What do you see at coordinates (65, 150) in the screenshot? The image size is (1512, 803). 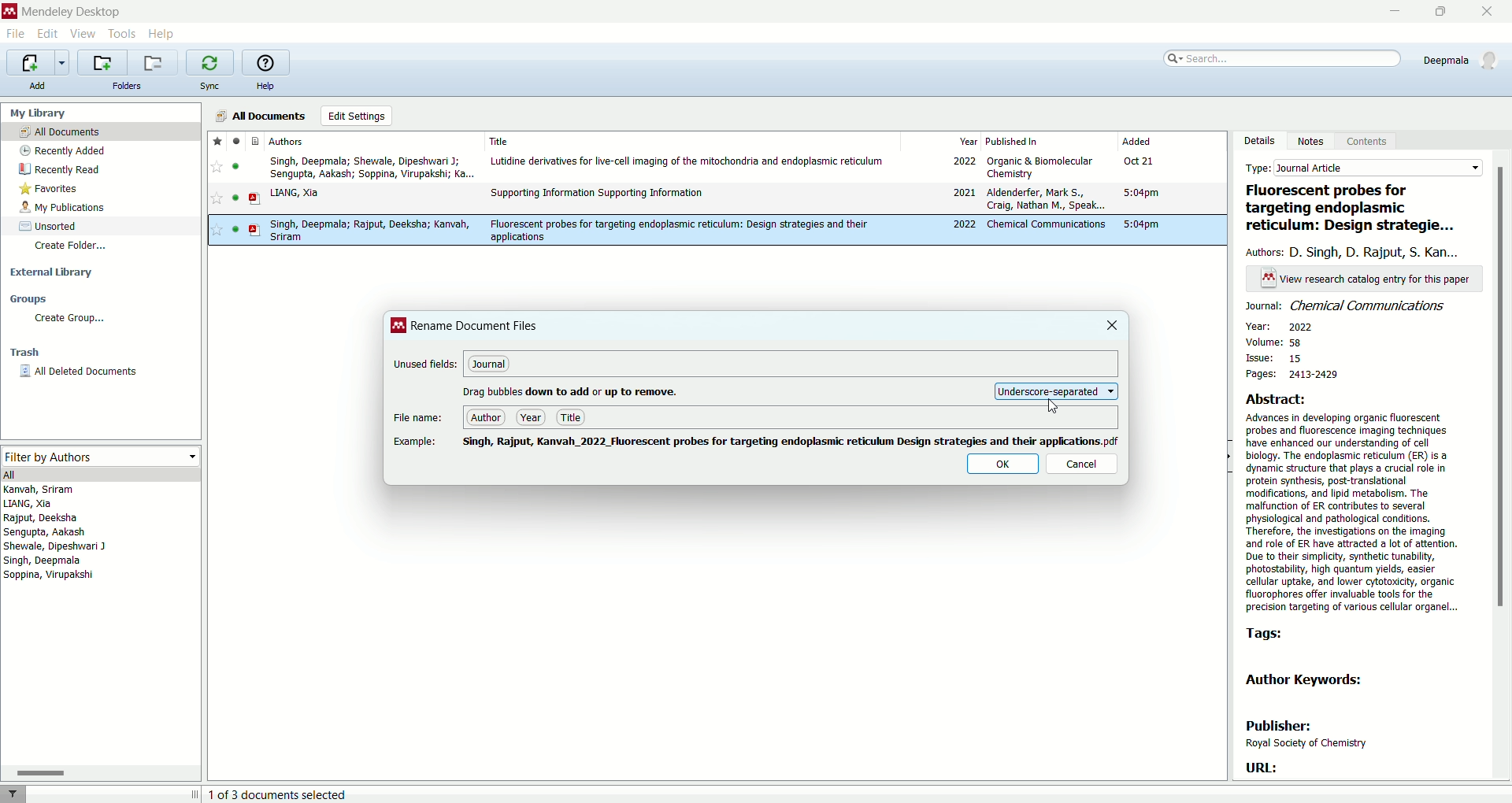 I see `recently added` at bounding box center [65, 150].